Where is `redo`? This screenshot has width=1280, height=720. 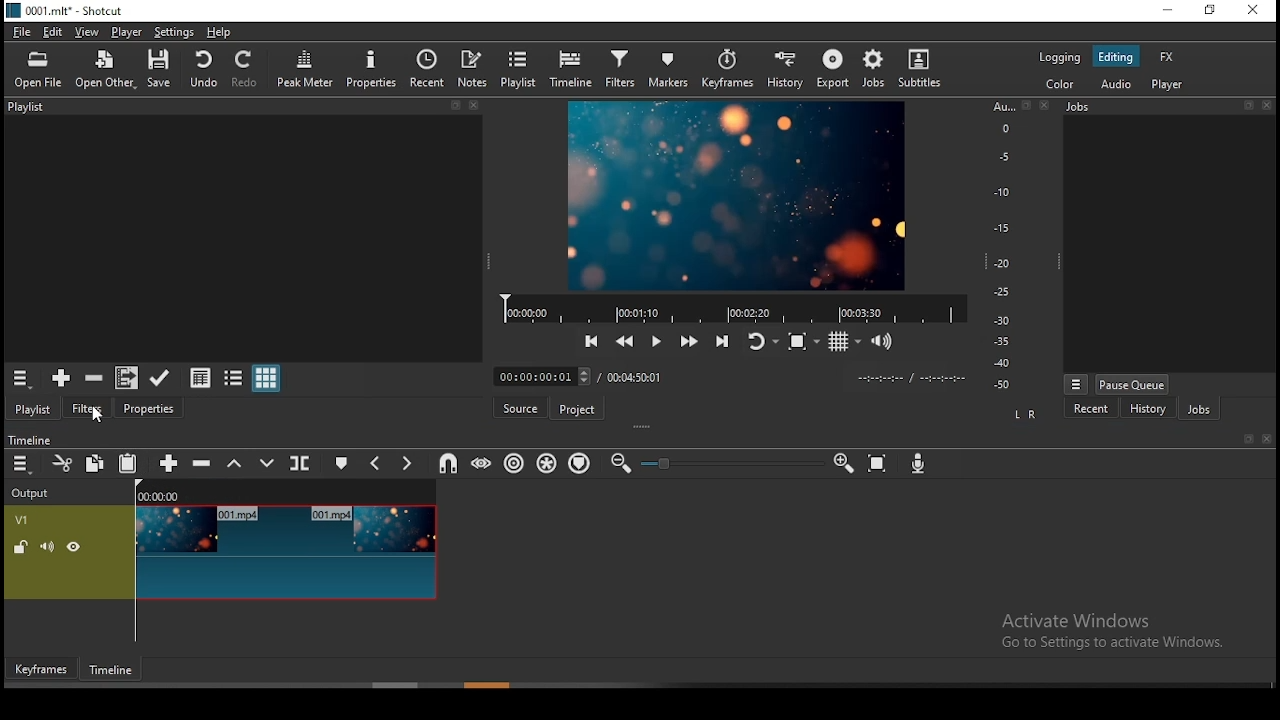
redo is located at coordinates (245, 70).